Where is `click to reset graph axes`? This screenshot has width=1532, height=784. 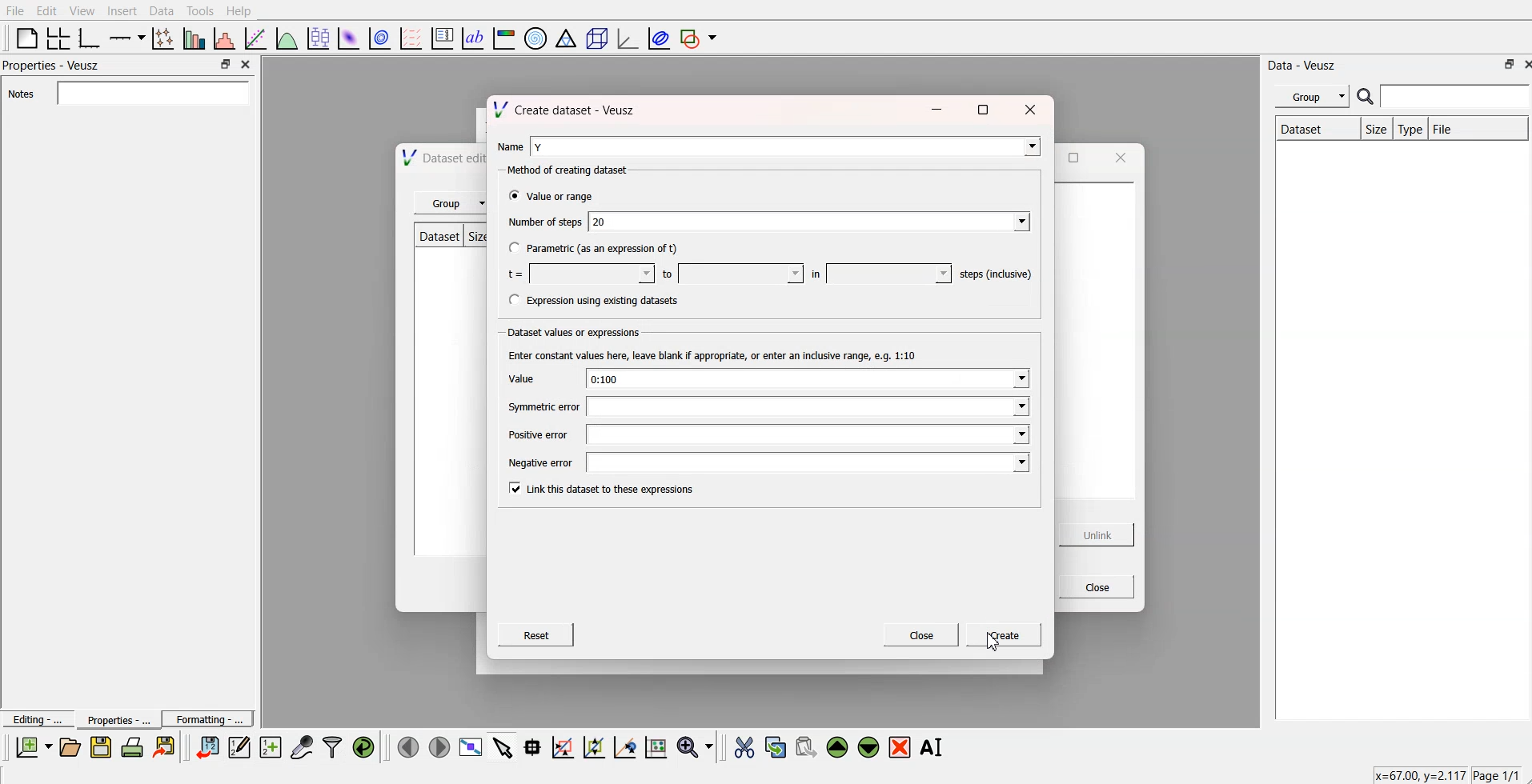 click to reset graph axes is located at coordinates (657, 746).